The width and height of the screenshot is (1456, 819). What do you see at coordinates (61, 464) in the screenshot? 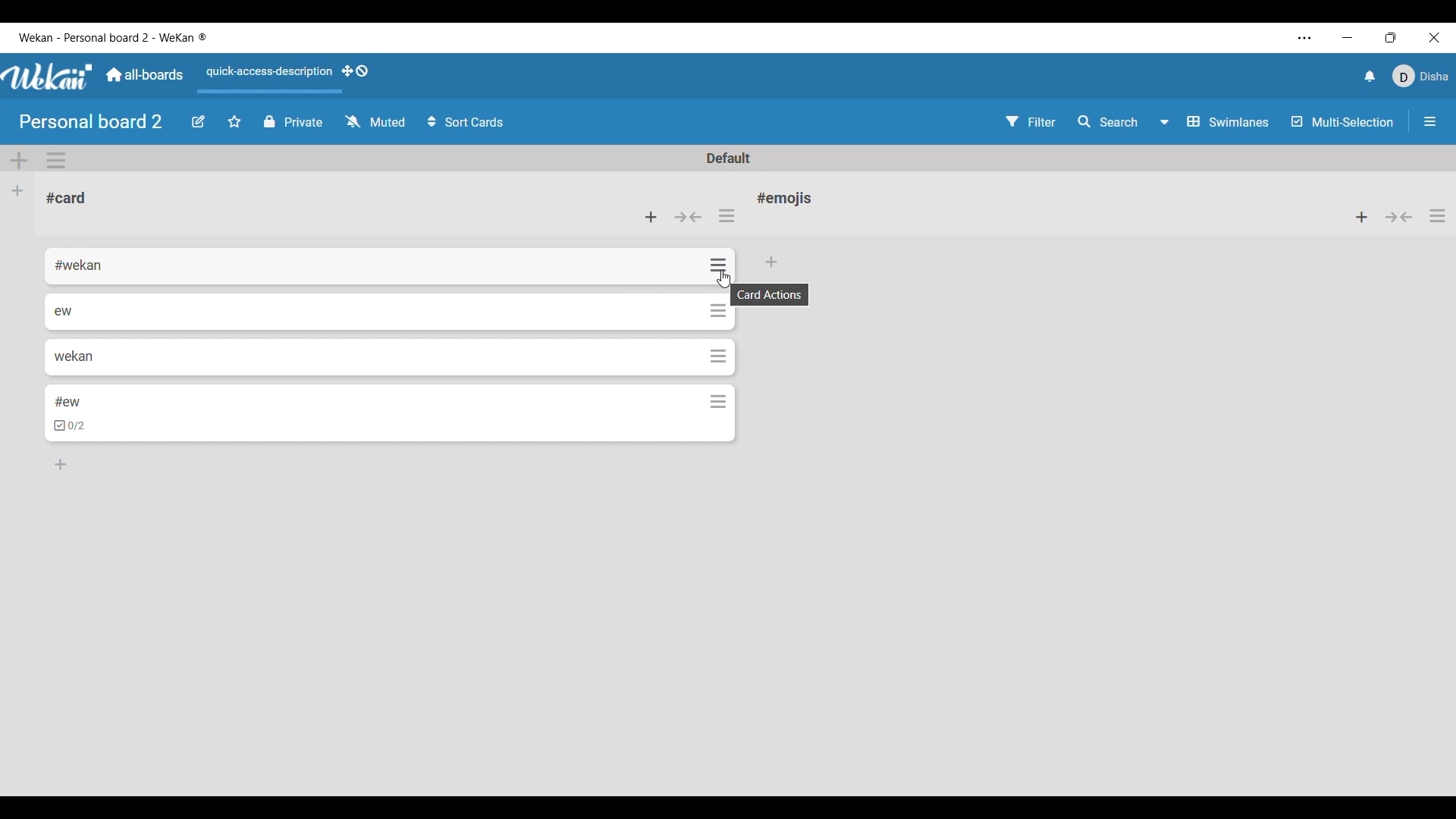
I see `Add card to bottom of list` at bounding box center [61, 464].